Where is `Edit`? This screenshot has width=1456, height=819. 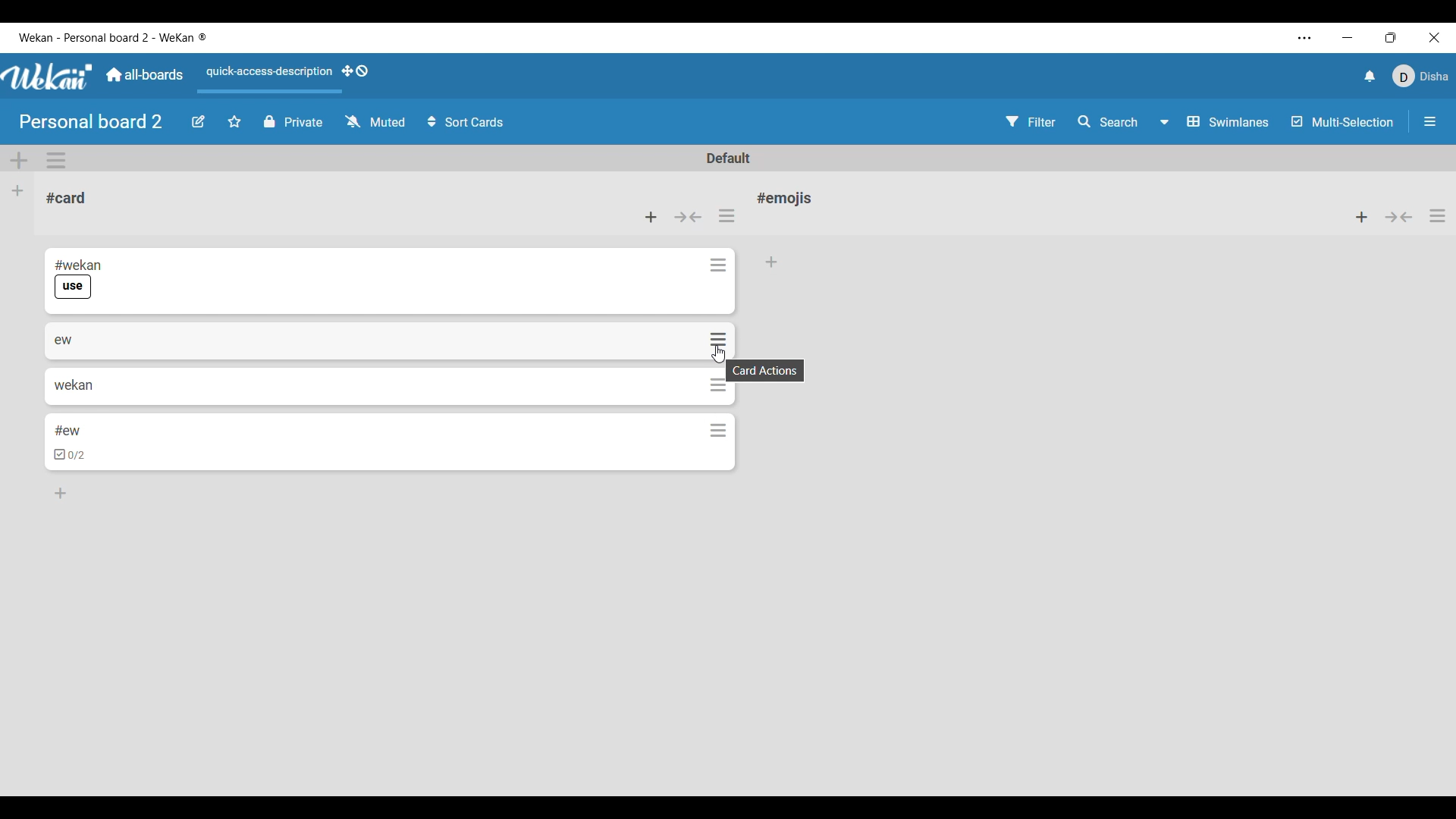
Edit is located at coordinates (198, 122).